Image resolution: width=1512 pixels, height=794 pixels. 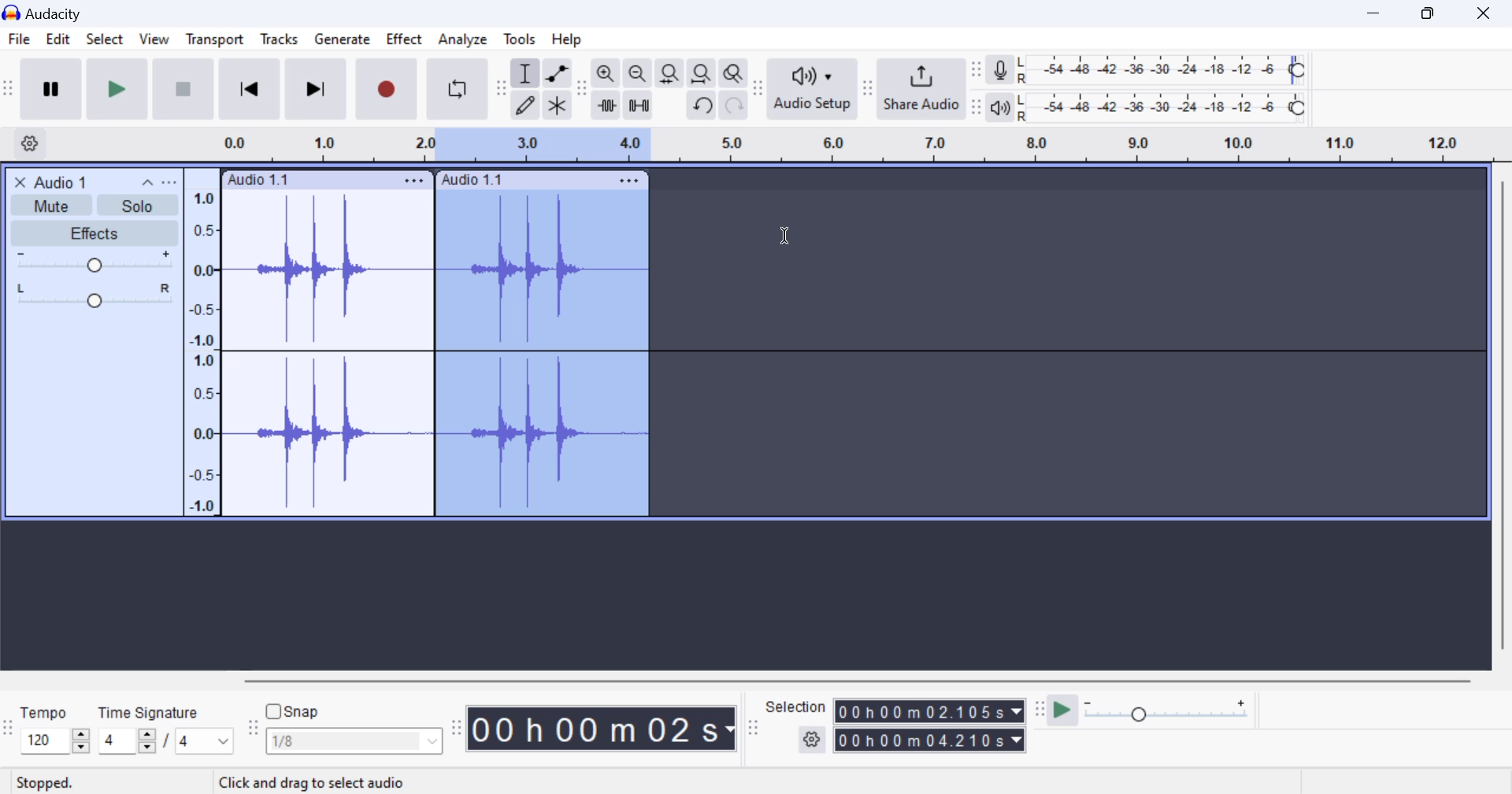 I want to click on Clip Title, so click(x=68, y=181).